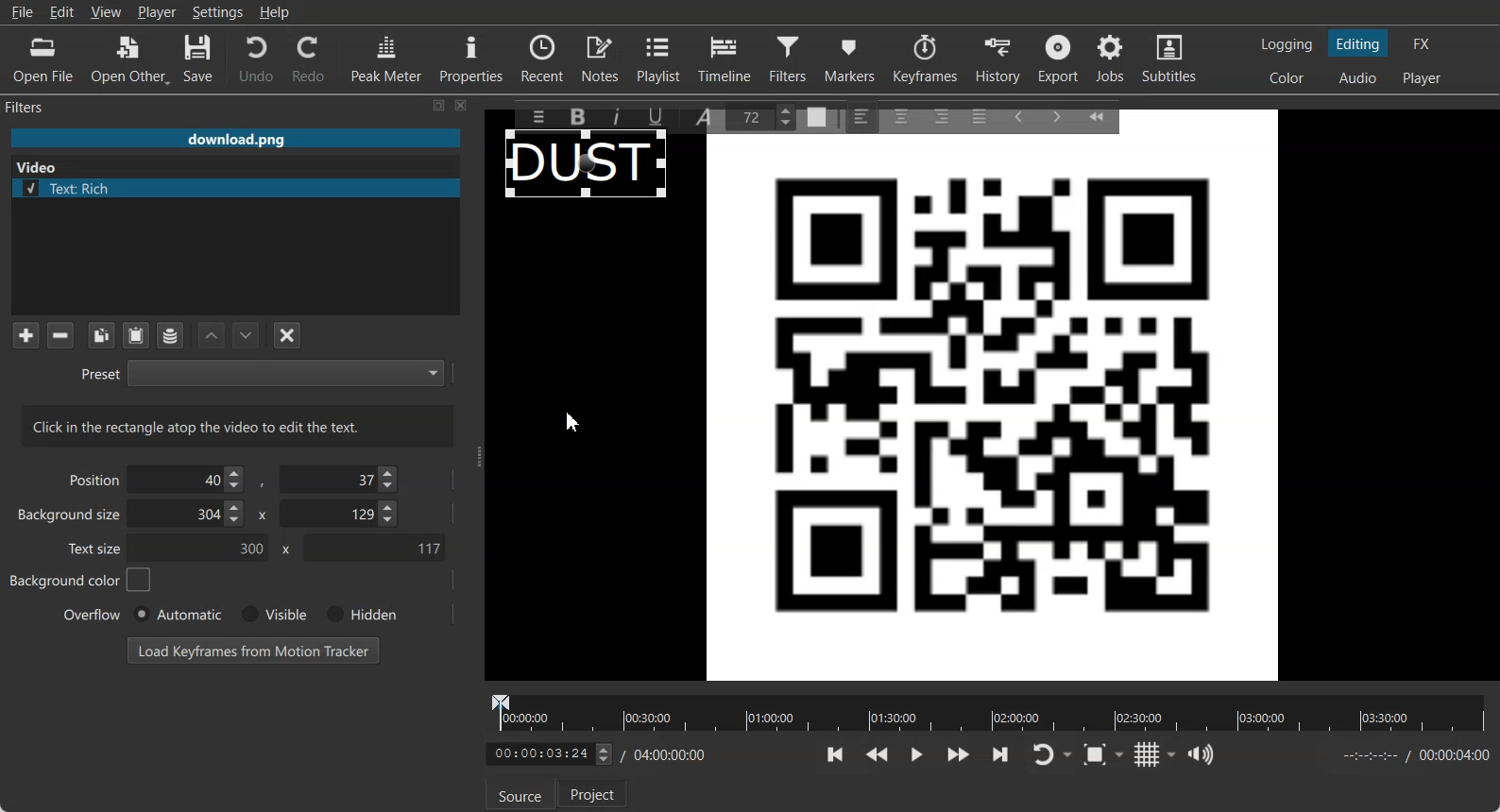 This screenshot has width=1500, height=812. What do you see at coordinates (1423, 78) in the screenshot?
I see `Switching to the Player only layout` at bounding box center [1423, 78].